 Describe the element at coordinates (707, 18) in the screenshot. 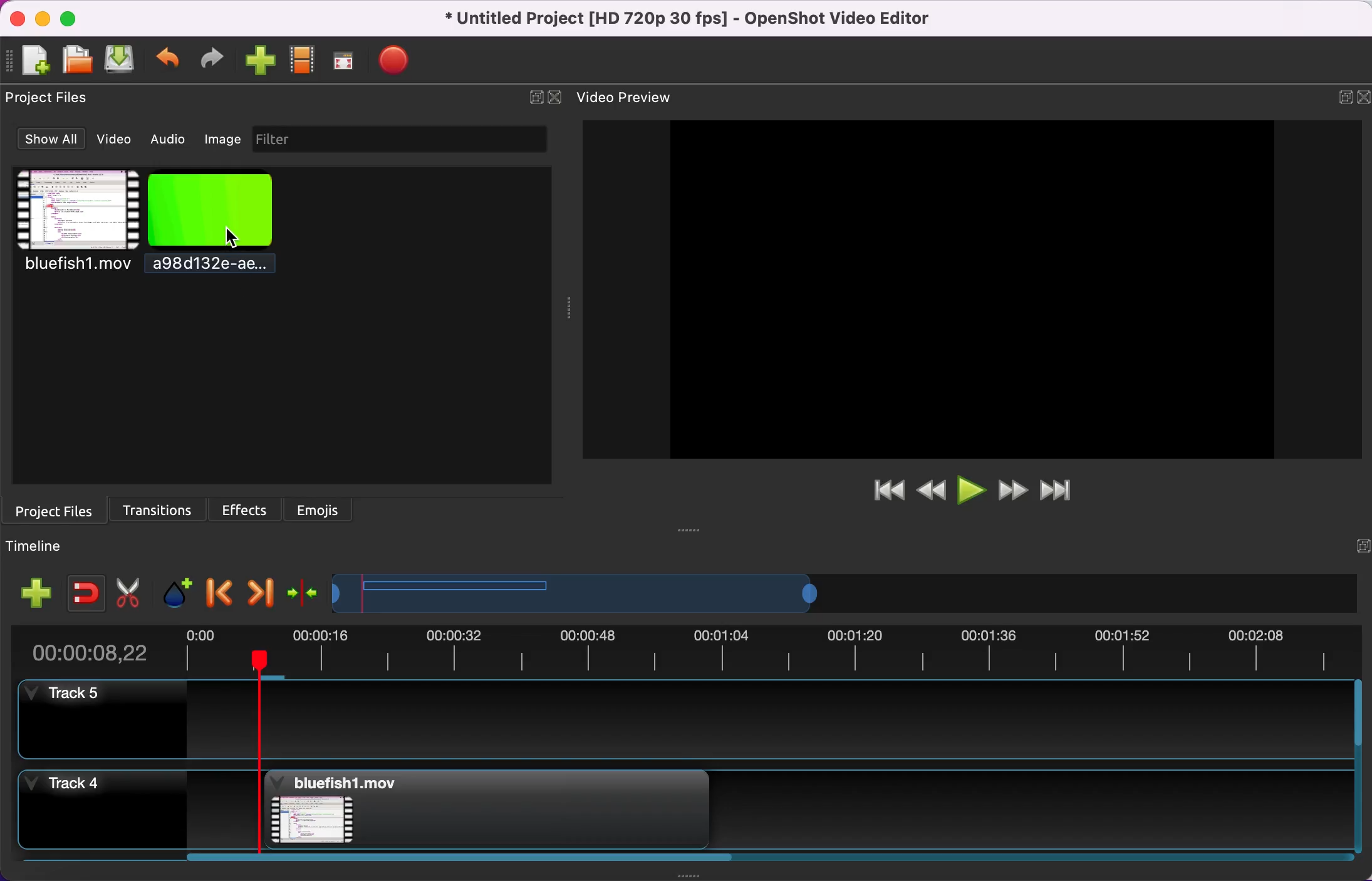

I see `title - Untitled Project [HD 720p 30 fps]-OpenShot Video Editor` at that location.